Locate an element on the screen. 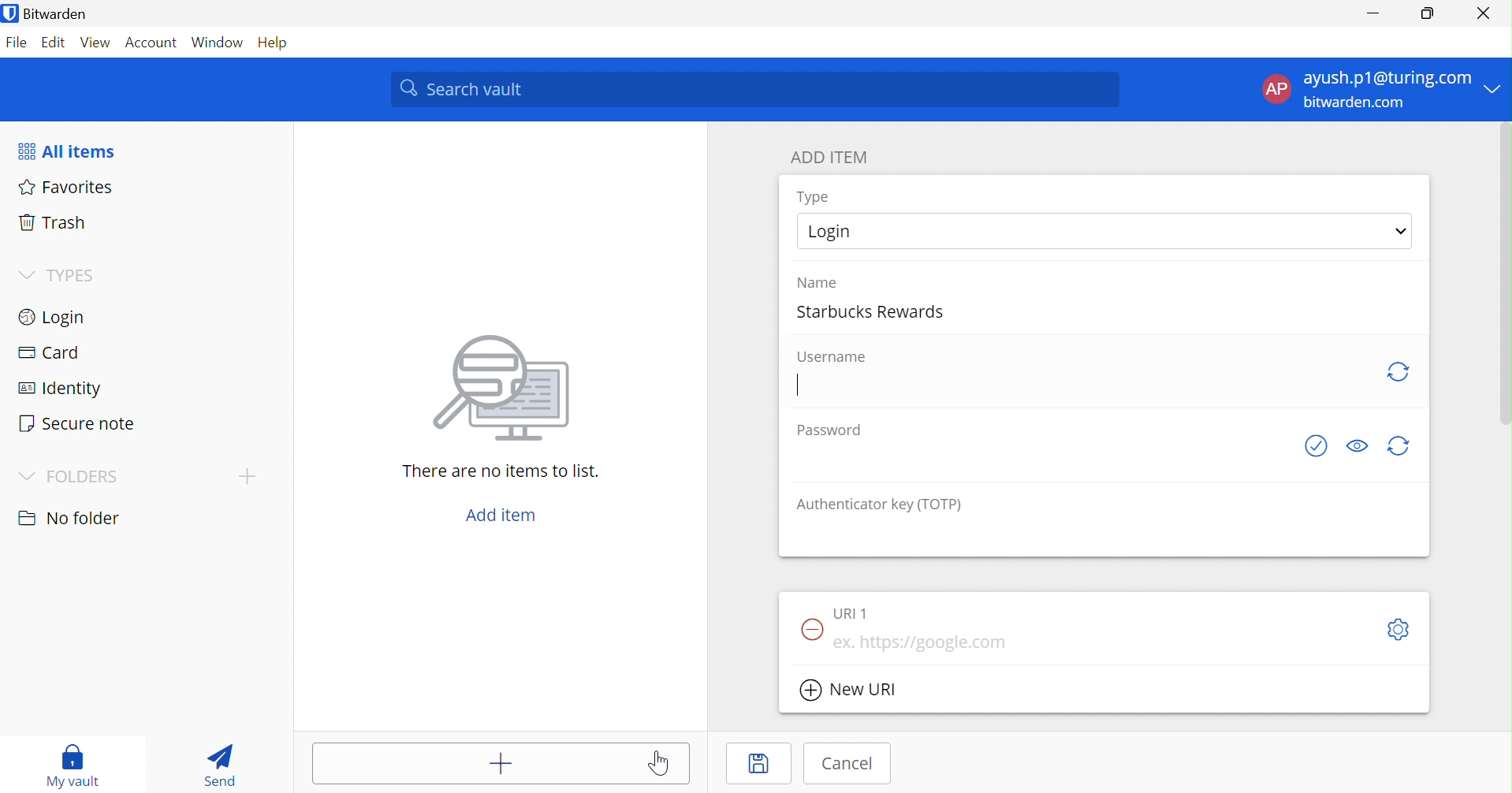  Authenticator key (TOTP) is located at coordinates (878, 505).